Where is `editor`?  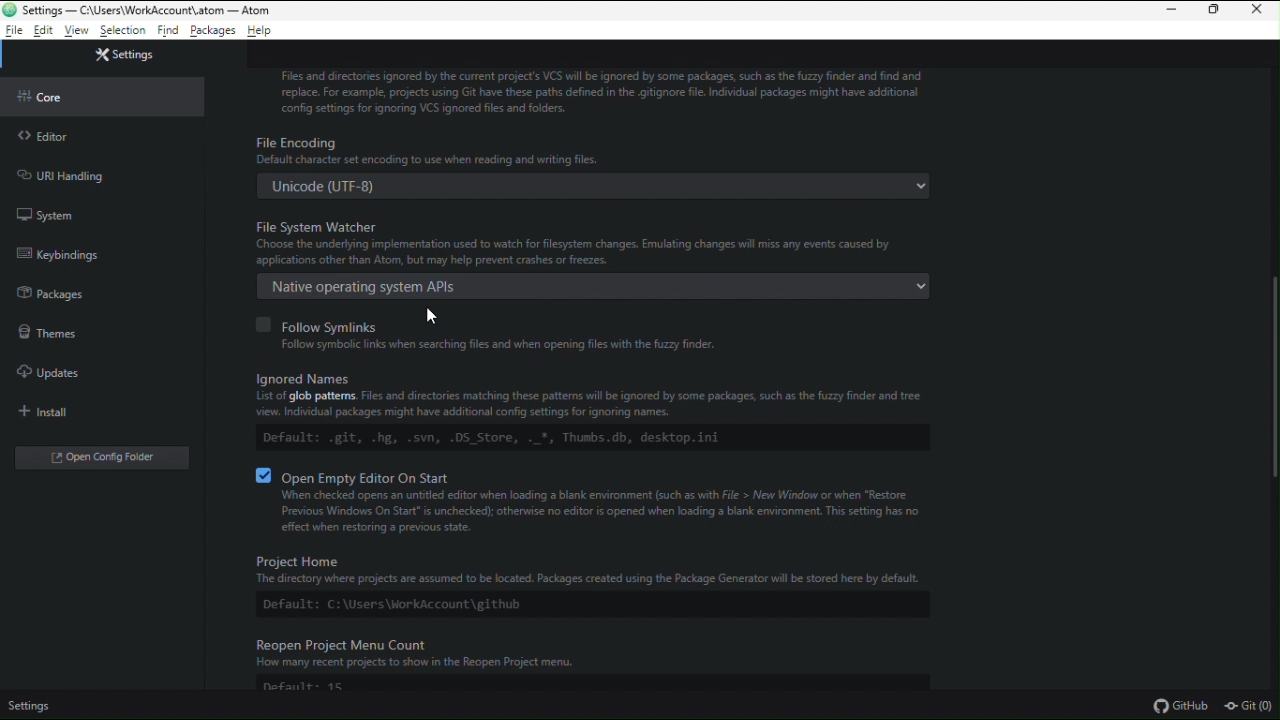
editor is located at coordinates (52, 137).